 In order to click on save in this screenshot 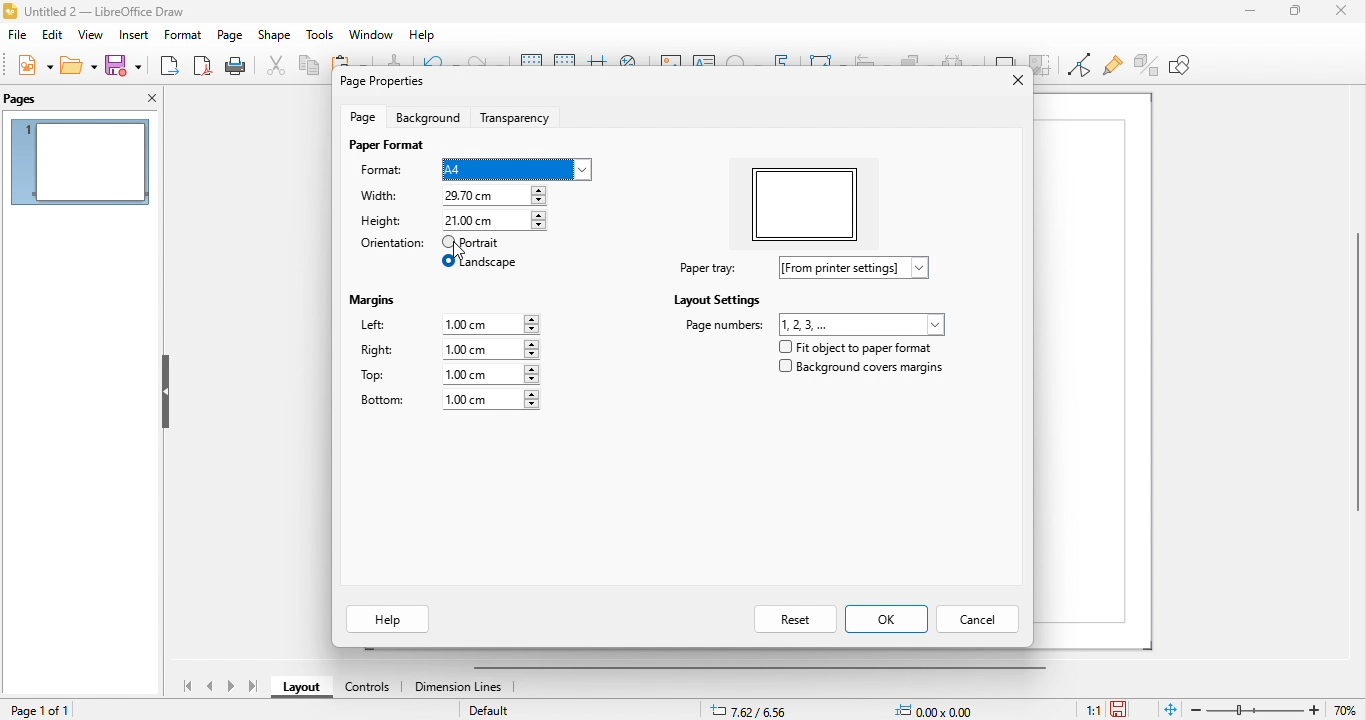, I will do `click(1131, 705)`.